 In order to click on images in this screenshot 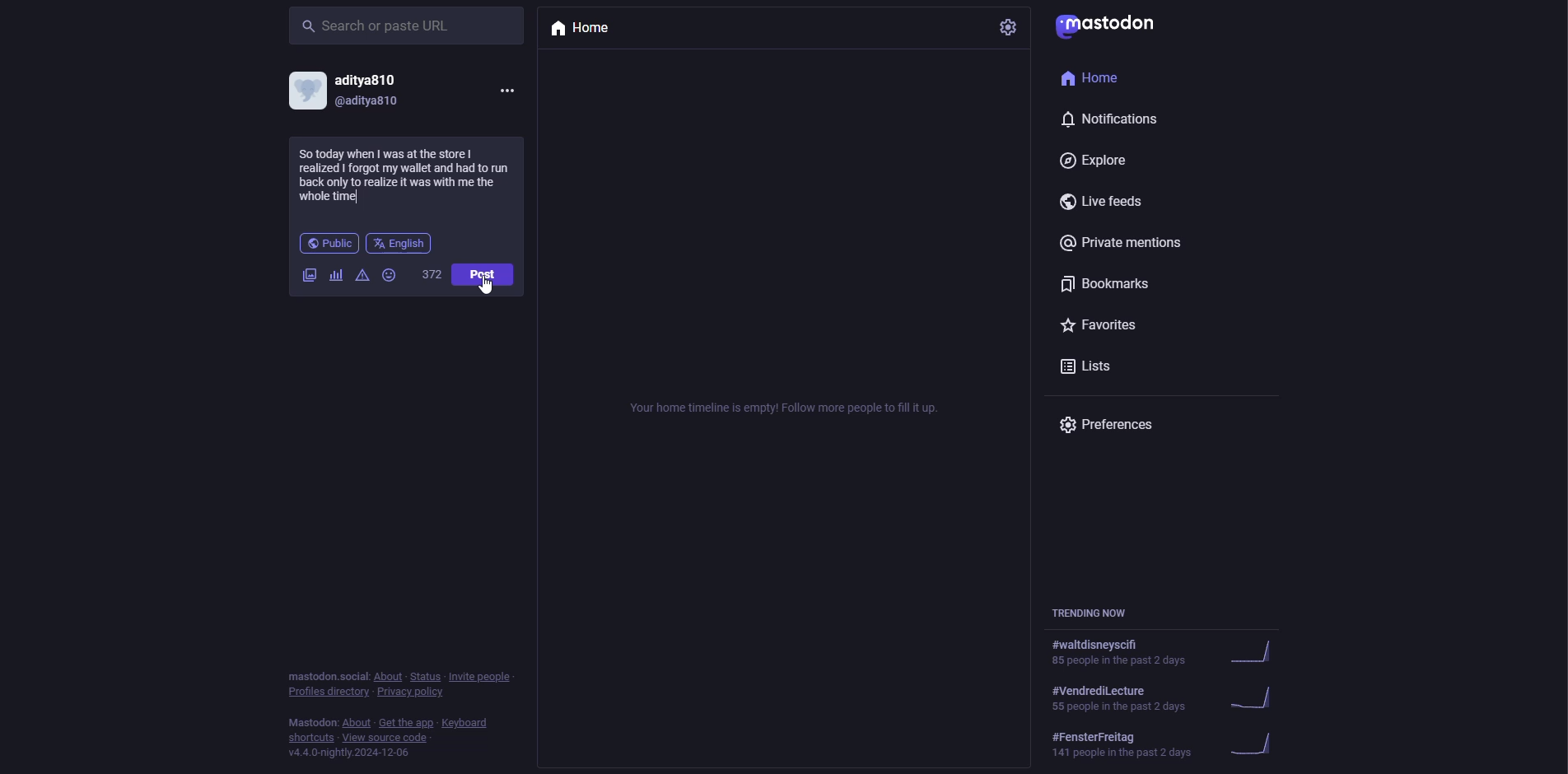, I will do `click(309, 274)`.